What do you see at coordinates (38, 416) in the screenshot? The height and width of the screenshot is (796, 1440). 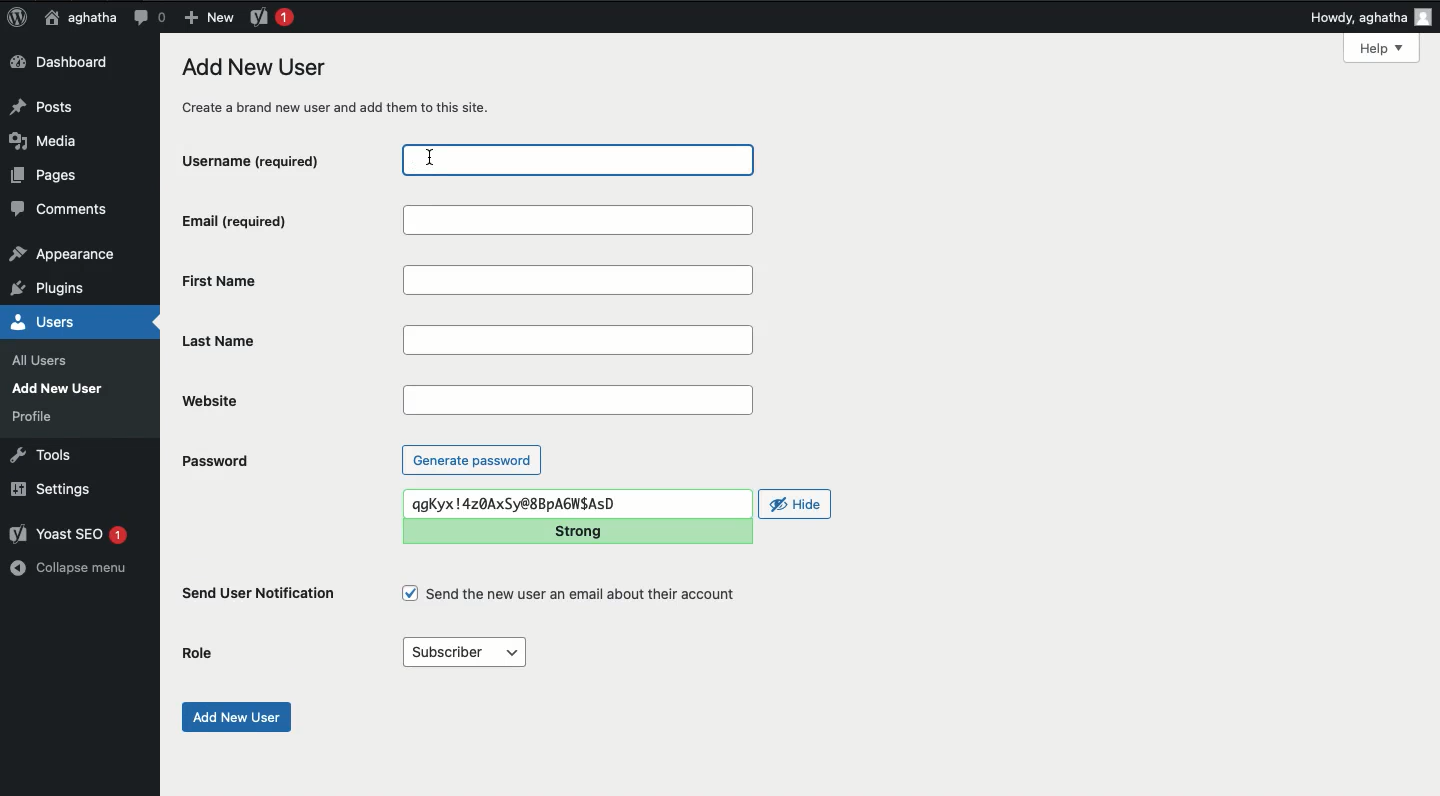 I see `profile` at bounding box center [38, 416].